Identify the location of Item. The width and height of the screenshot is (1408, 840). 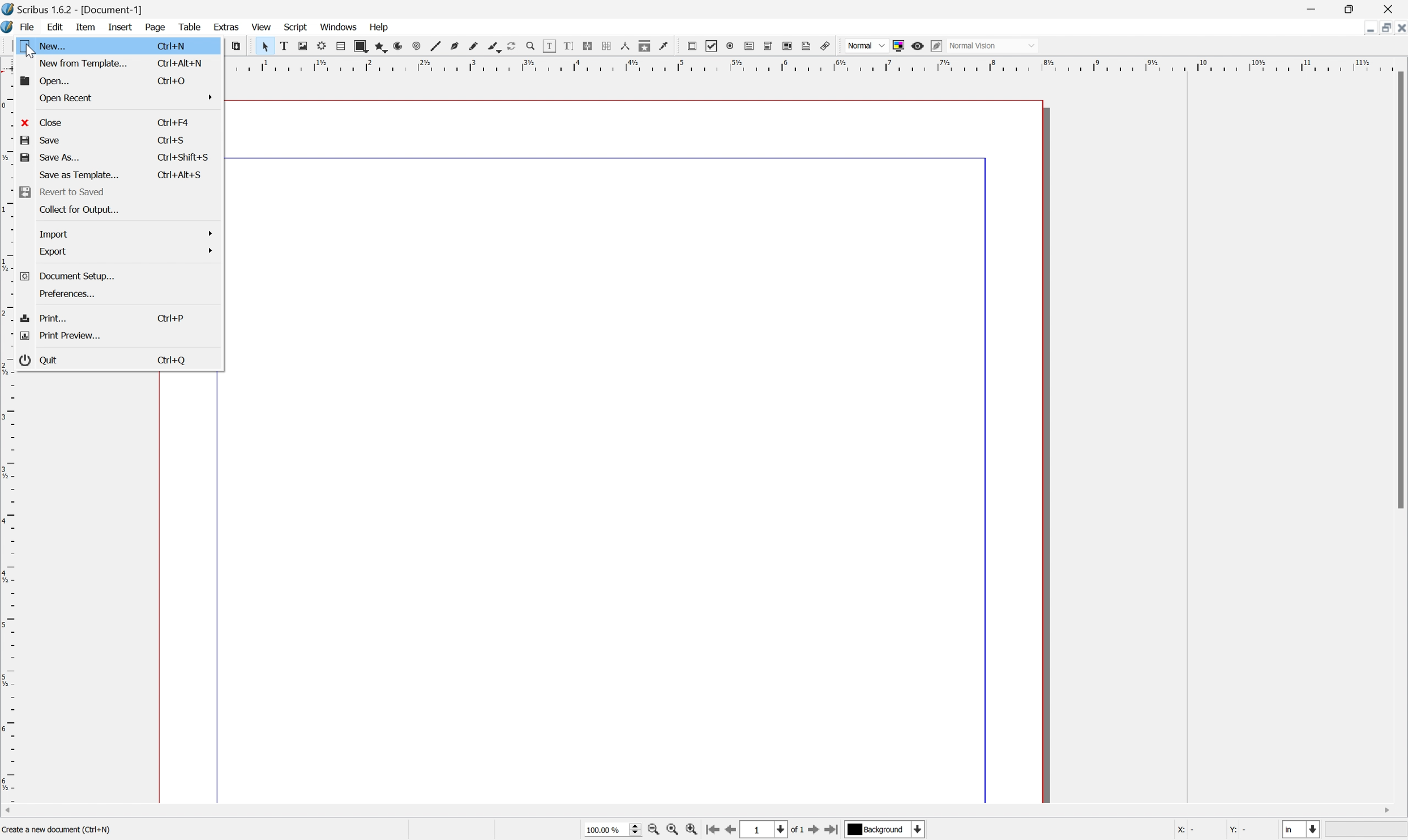
(89, 27).